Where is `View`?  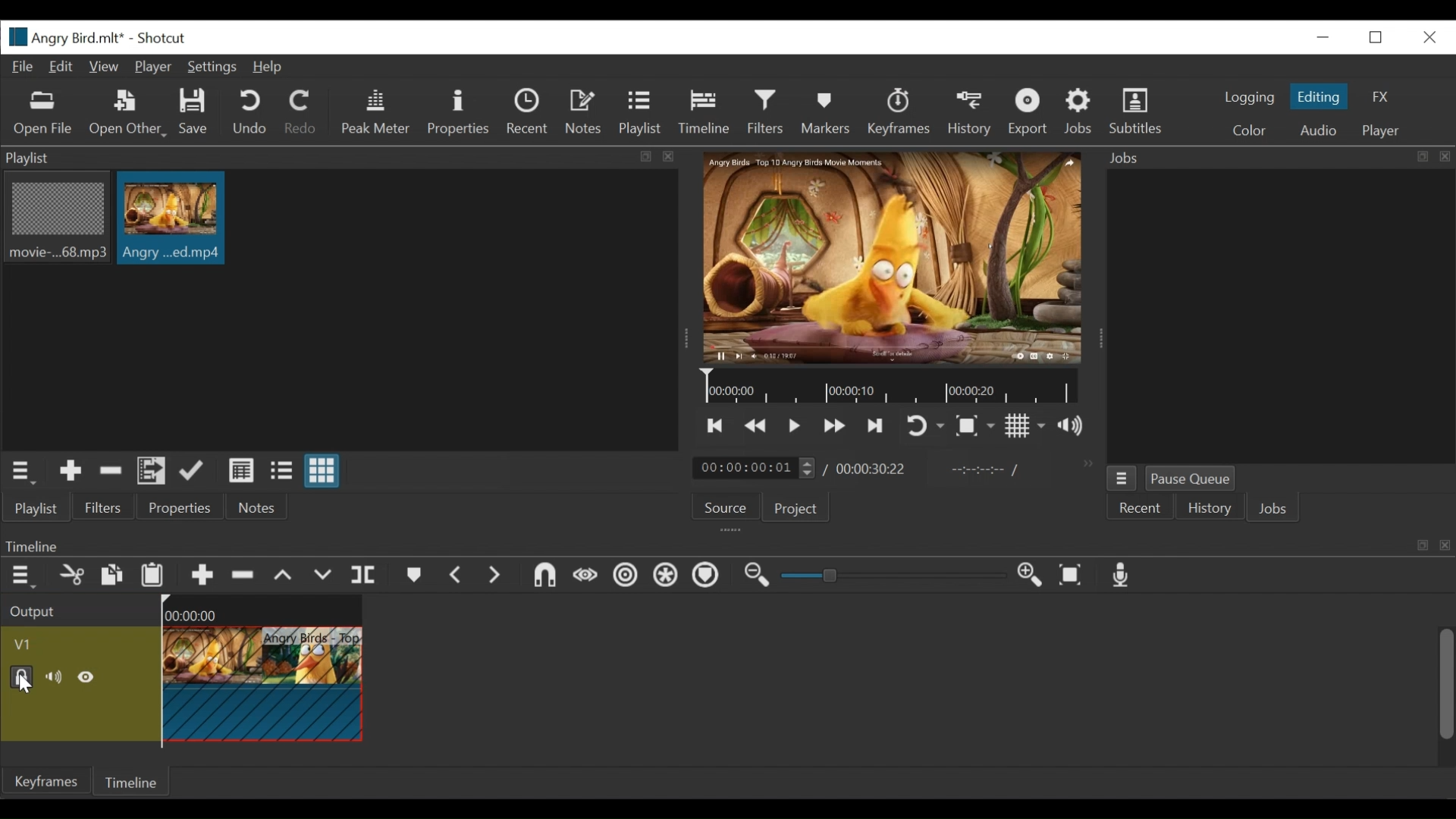 View is located at coordinates (105, 67).